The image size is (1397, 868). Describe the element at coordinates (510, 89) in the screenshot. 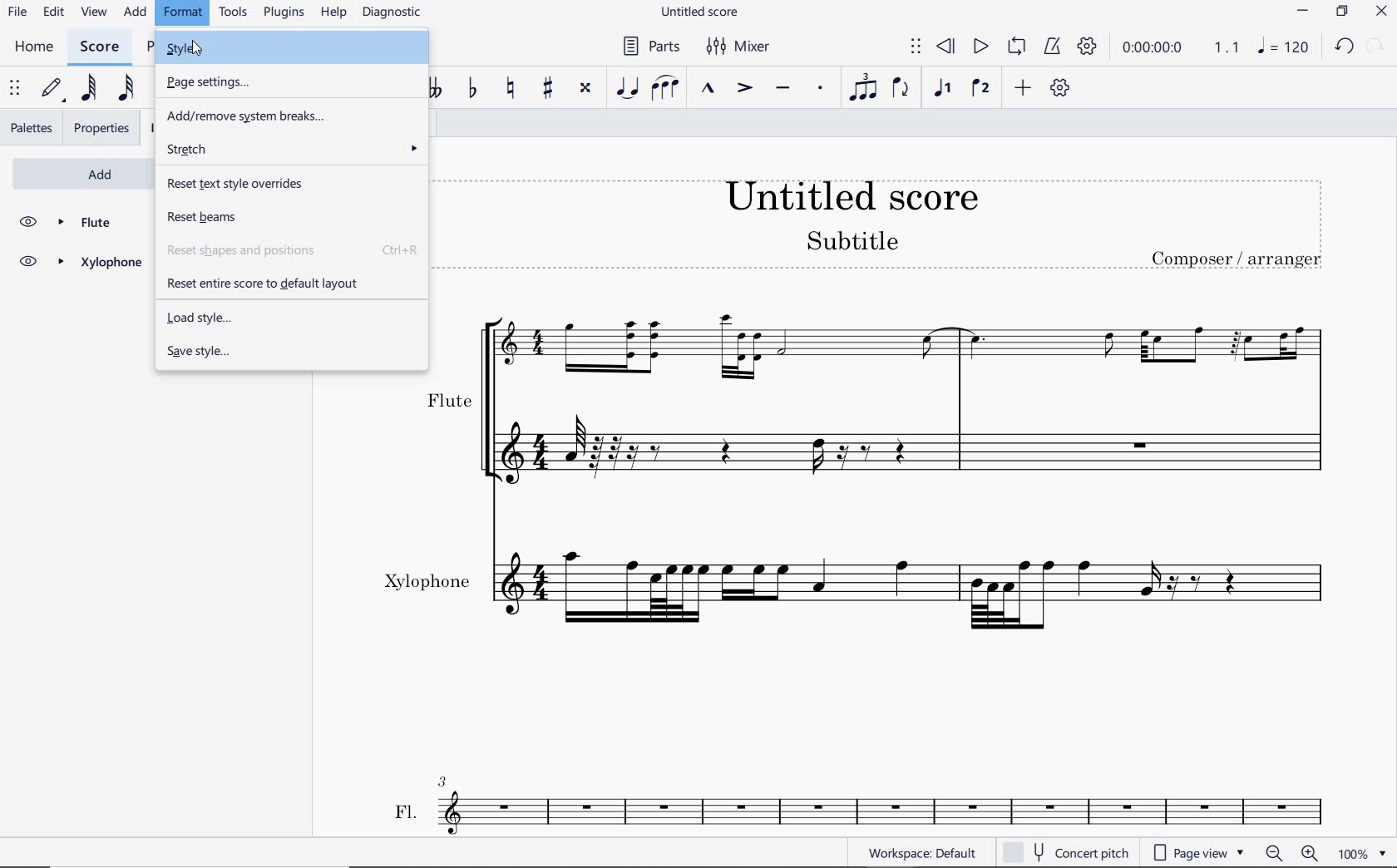

I see `TOGGLE NATURAL` at that location.